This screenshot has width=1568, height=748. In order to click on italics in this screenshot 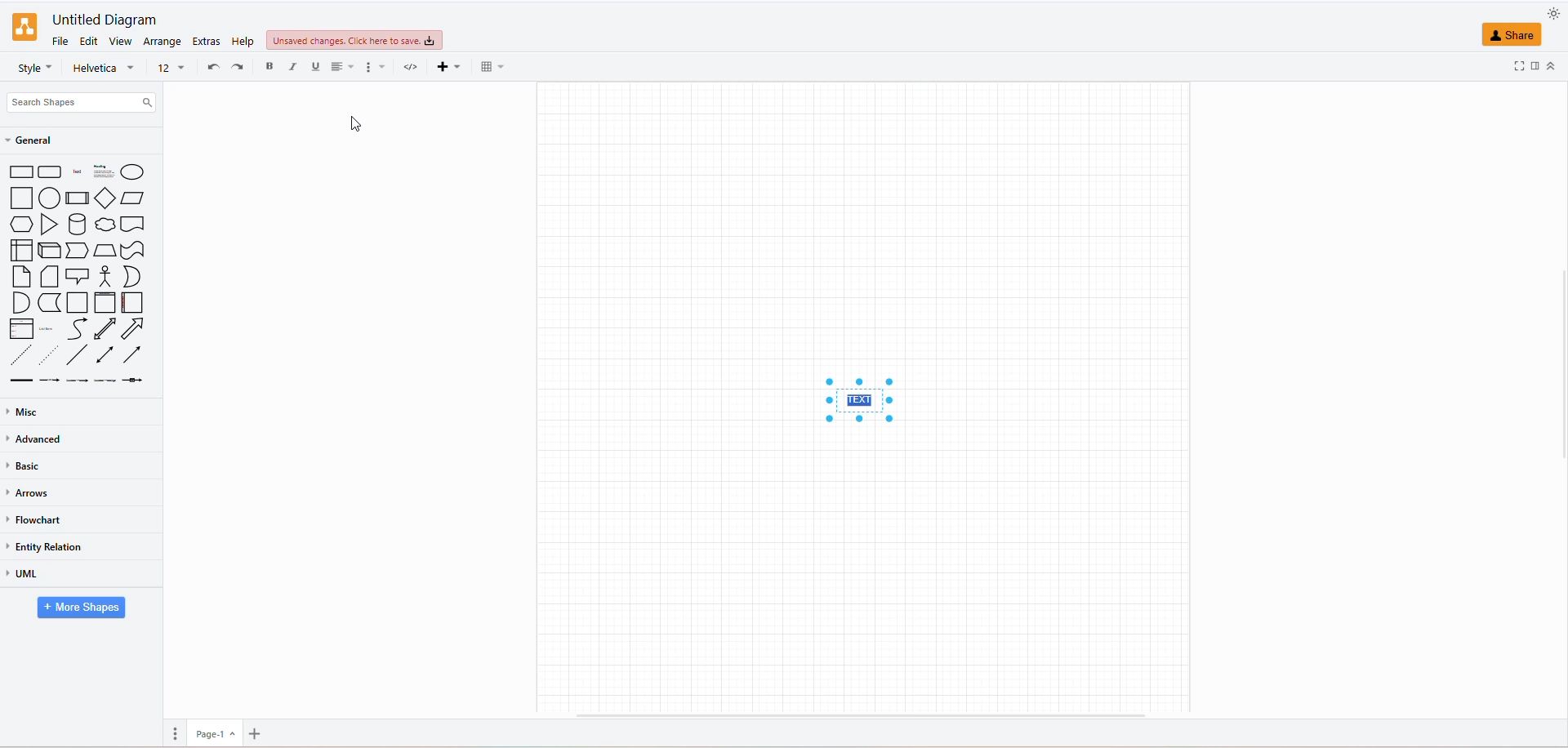, I will do `click(293, 66)`.